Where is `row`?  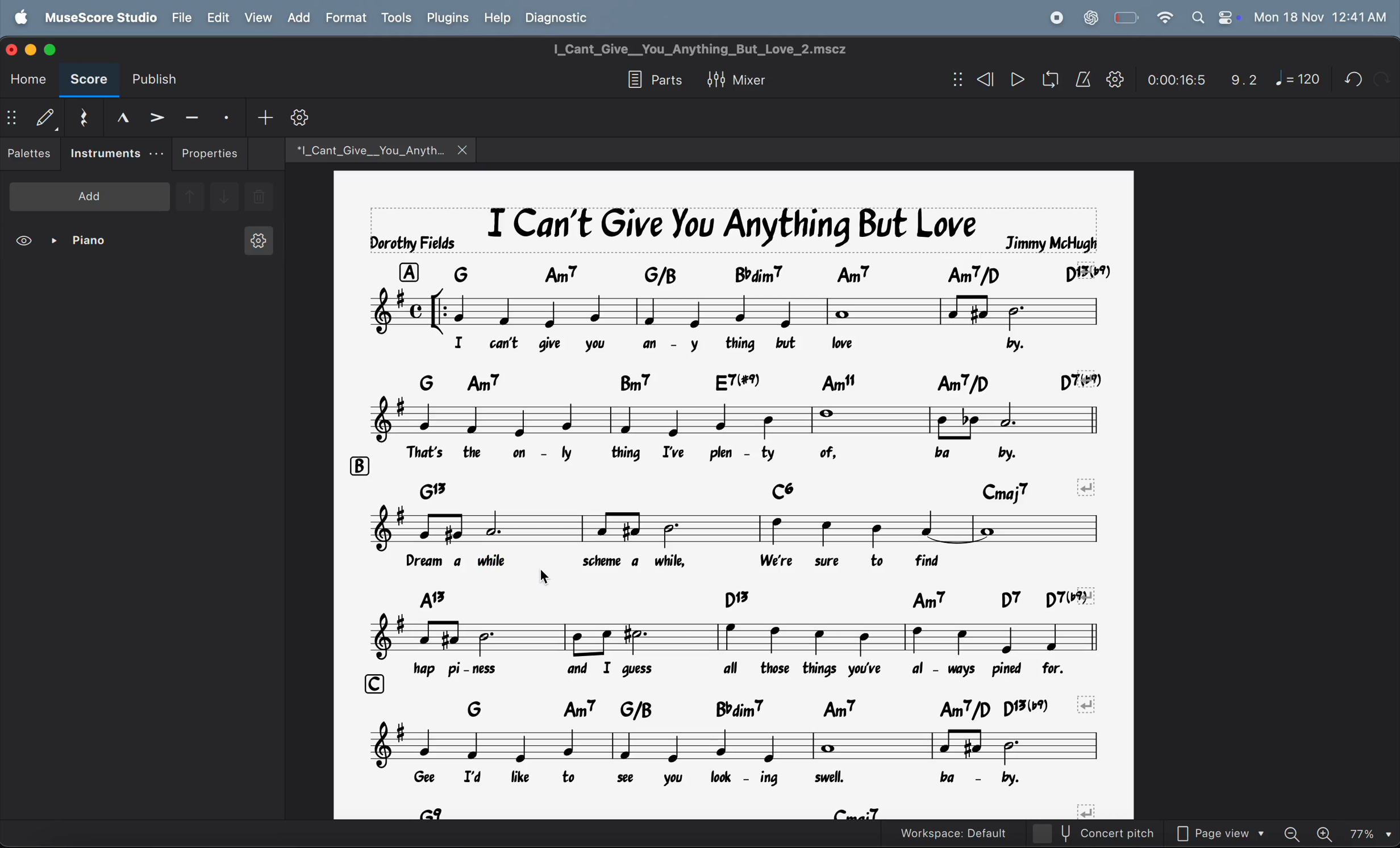
row is located at coordinates (409, 274).